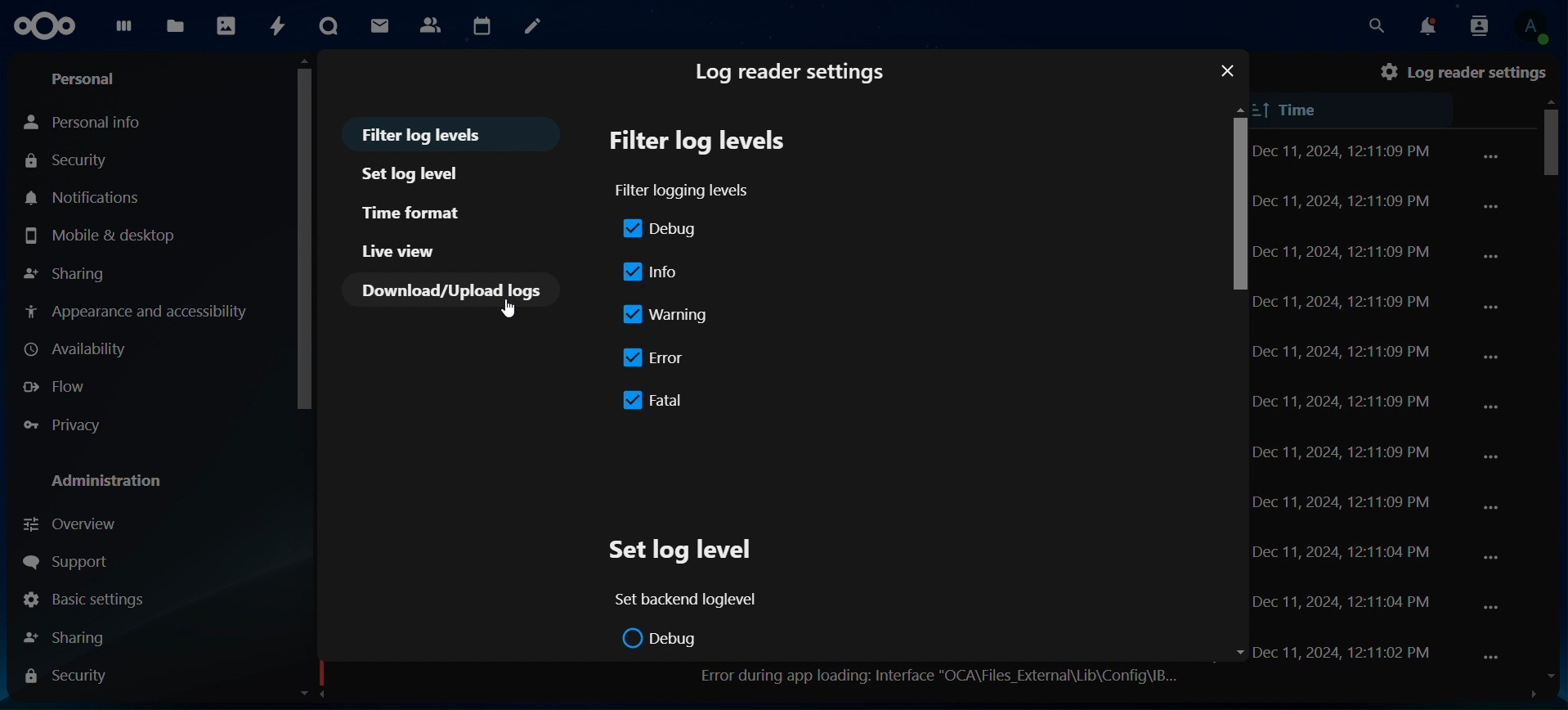 The height and width of the screenshot is (710, 1568). I want to click on log reader settings, so click(1463, 71).